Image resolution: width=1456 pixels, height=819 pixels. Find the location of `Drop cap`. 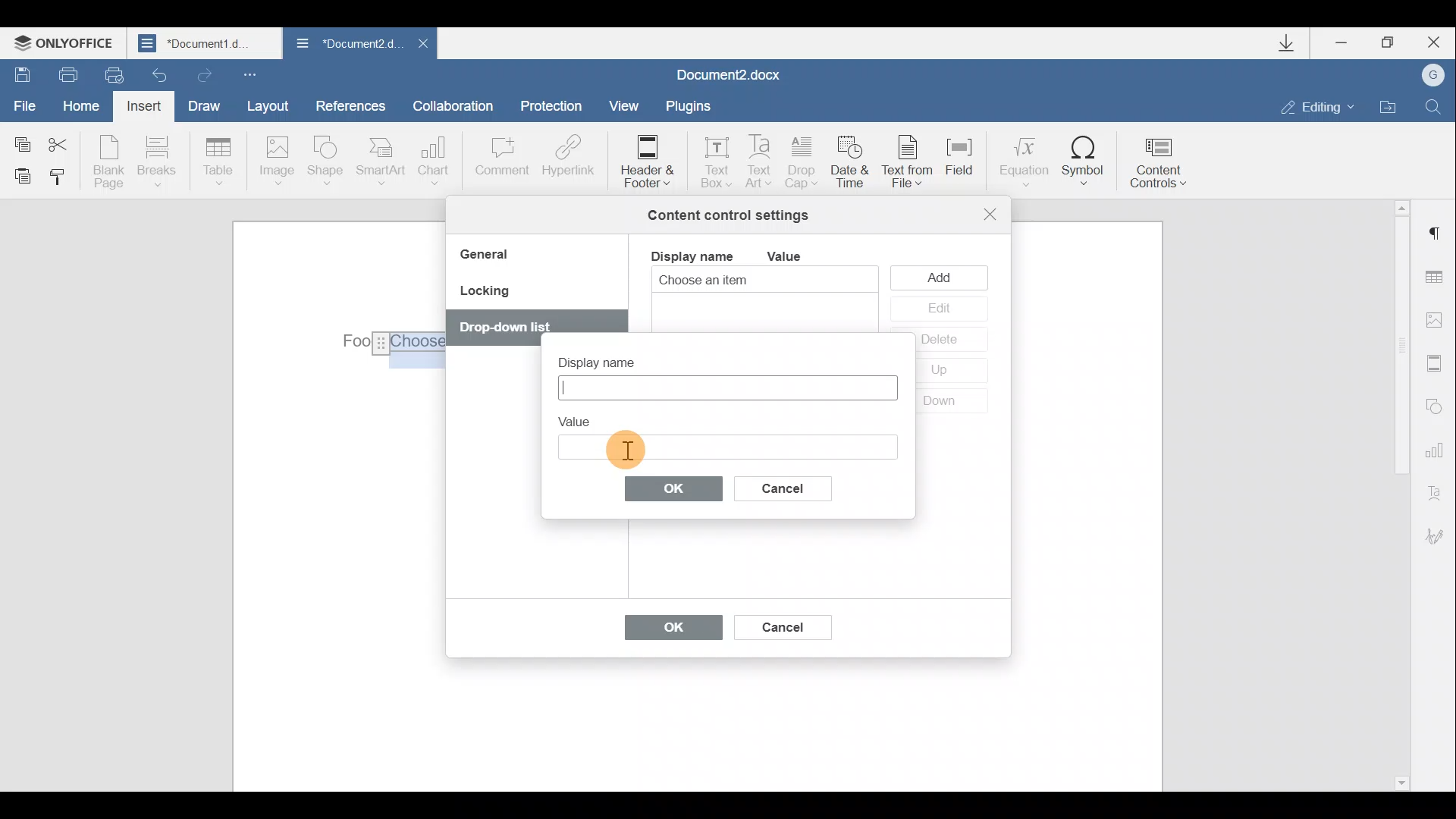

Drop cap is located at coordinates (802, 164).